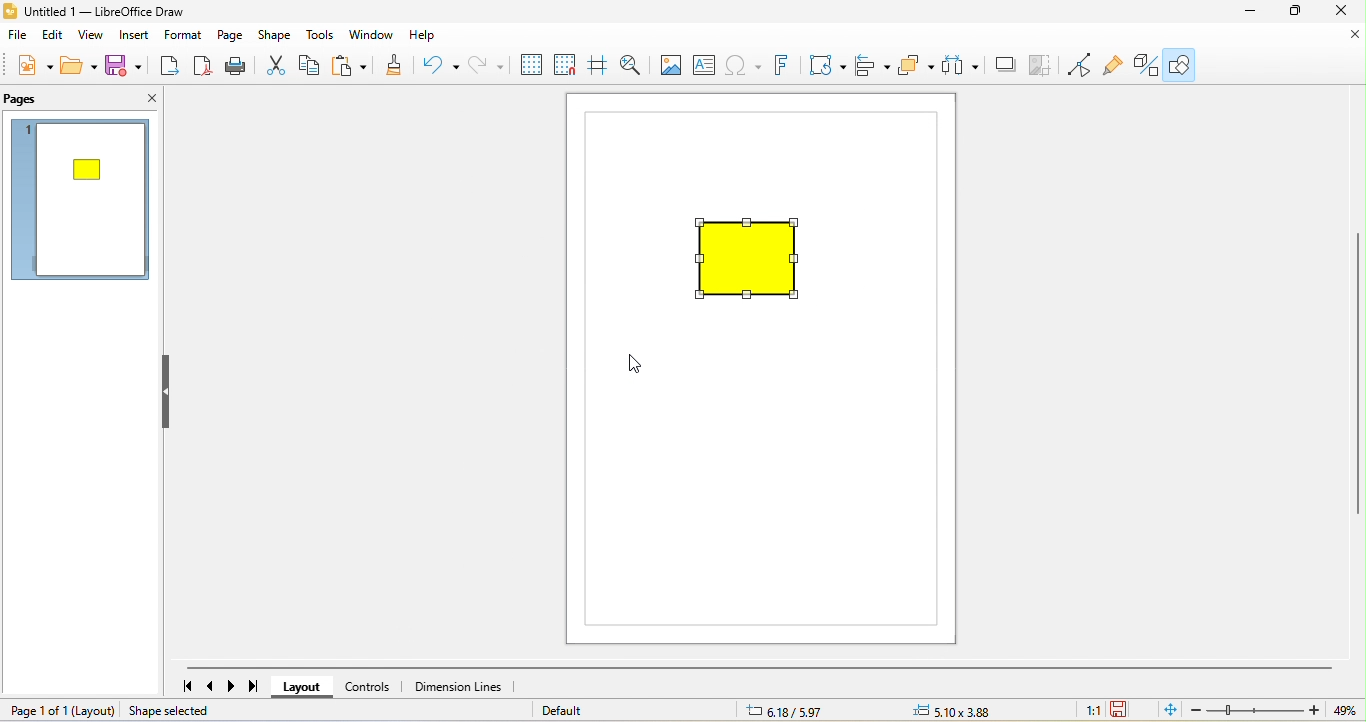  What do you see at coordinates (315, 64) in the screenshot?
I see `copy` at bounding box center [315, 64].